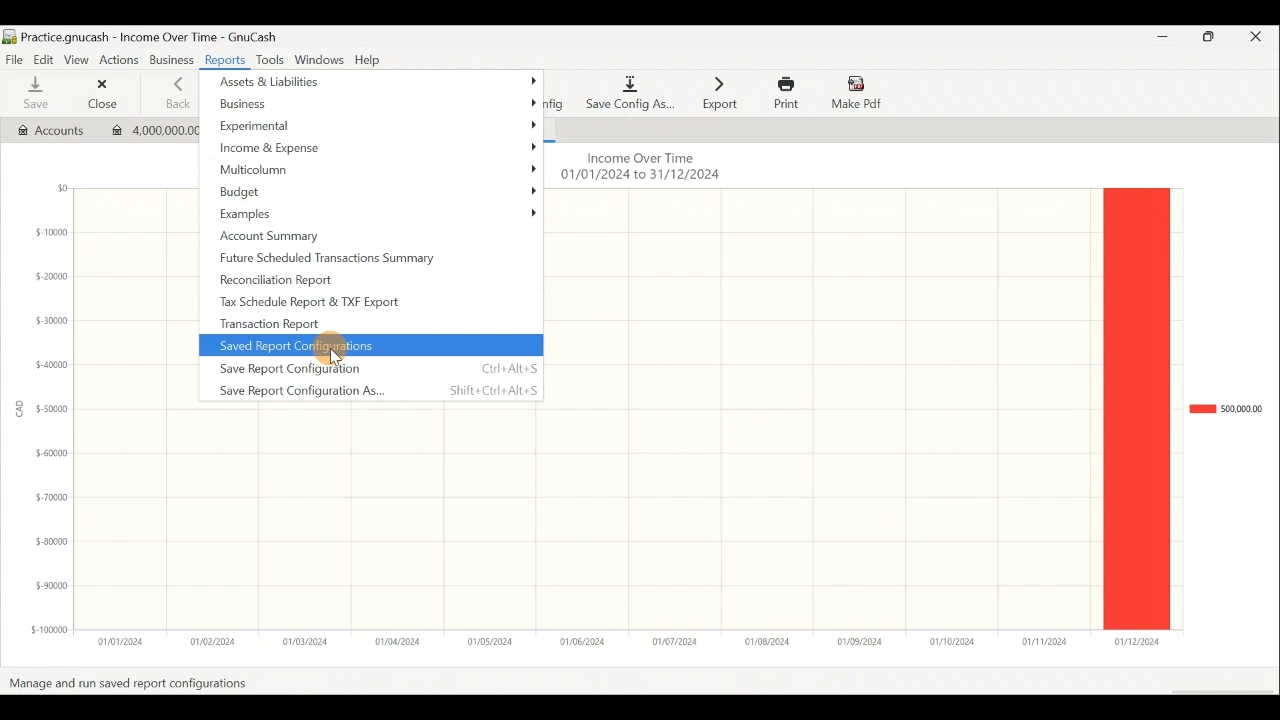 The height and width of the screenshot is (720, 1280). I want to click on Minimize, so click(1156, 42).